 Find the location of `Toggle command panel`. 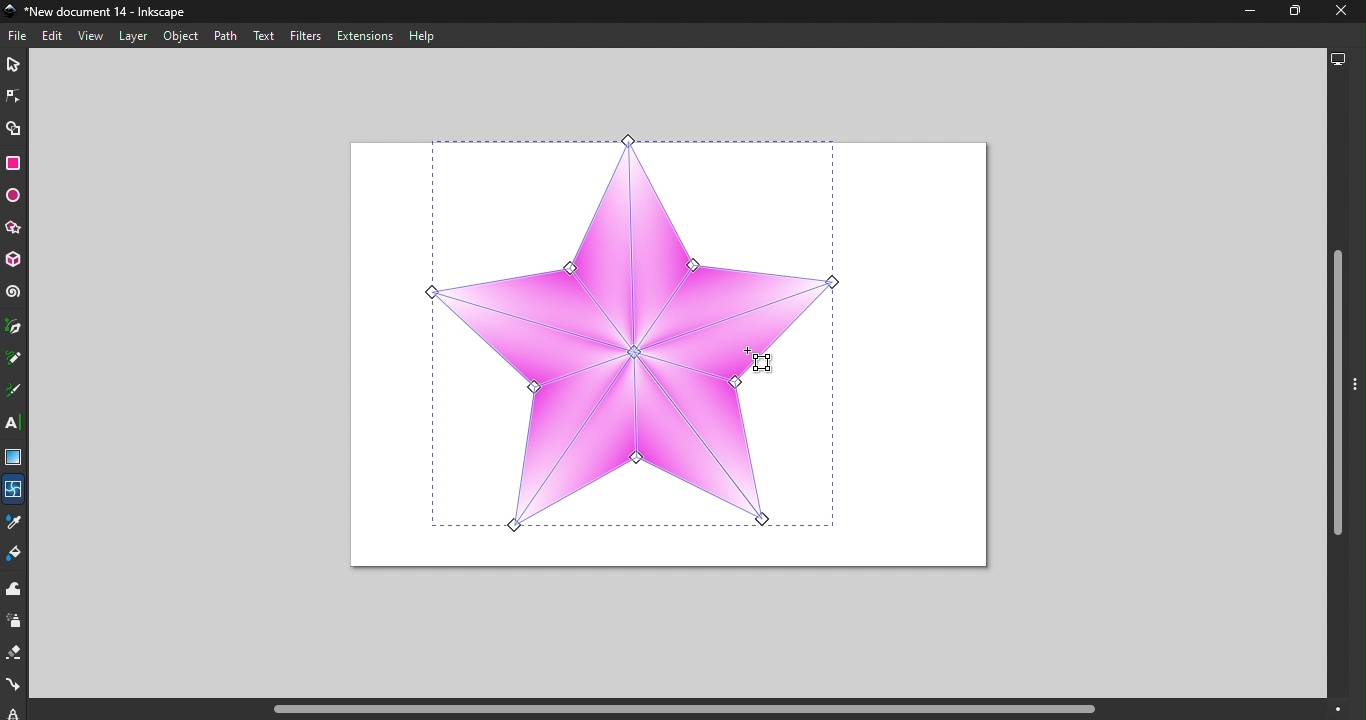

Toggle command panel is located at coordinates (1358, 398).